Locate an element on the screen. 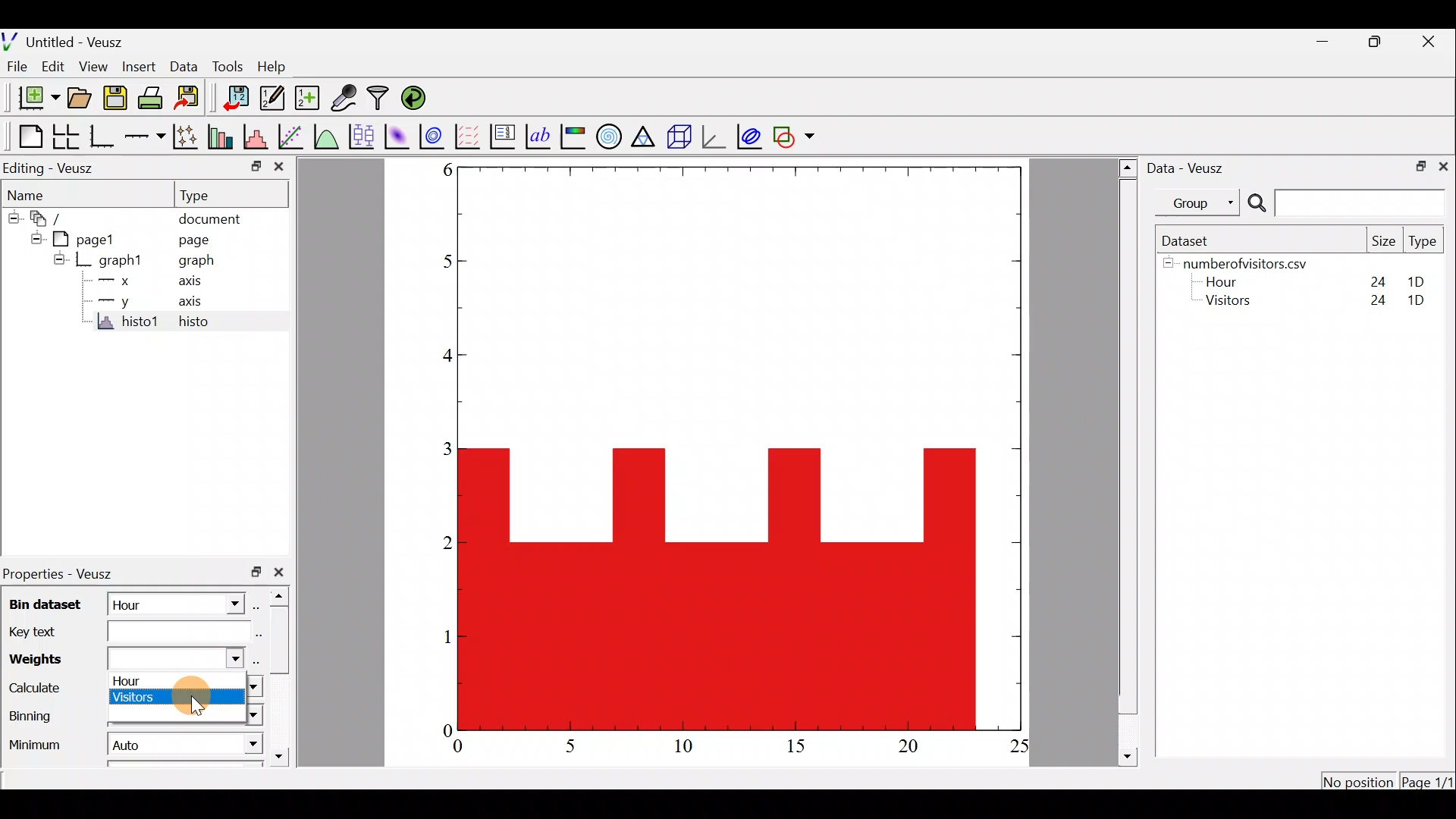 This screenshot has width=1456, height=819. axis is located at coordinates (187, 284).